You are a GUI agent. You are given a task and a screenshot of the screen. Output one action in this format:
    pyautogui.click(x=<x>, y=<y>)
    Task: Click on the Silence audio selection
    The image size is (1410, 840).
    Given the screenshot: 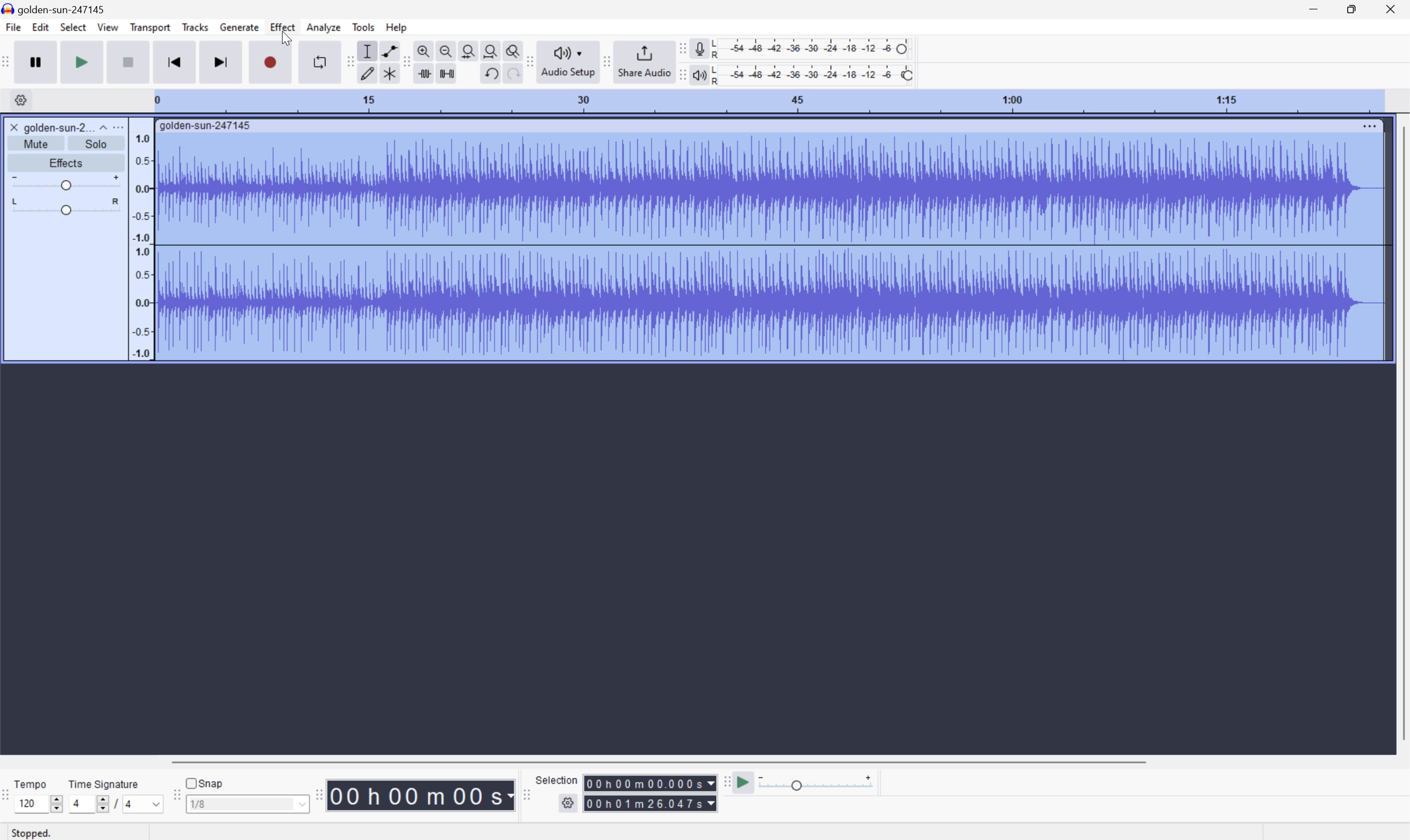 What is the action you would take?
    pyautogui.click(x=448, y=72)
    